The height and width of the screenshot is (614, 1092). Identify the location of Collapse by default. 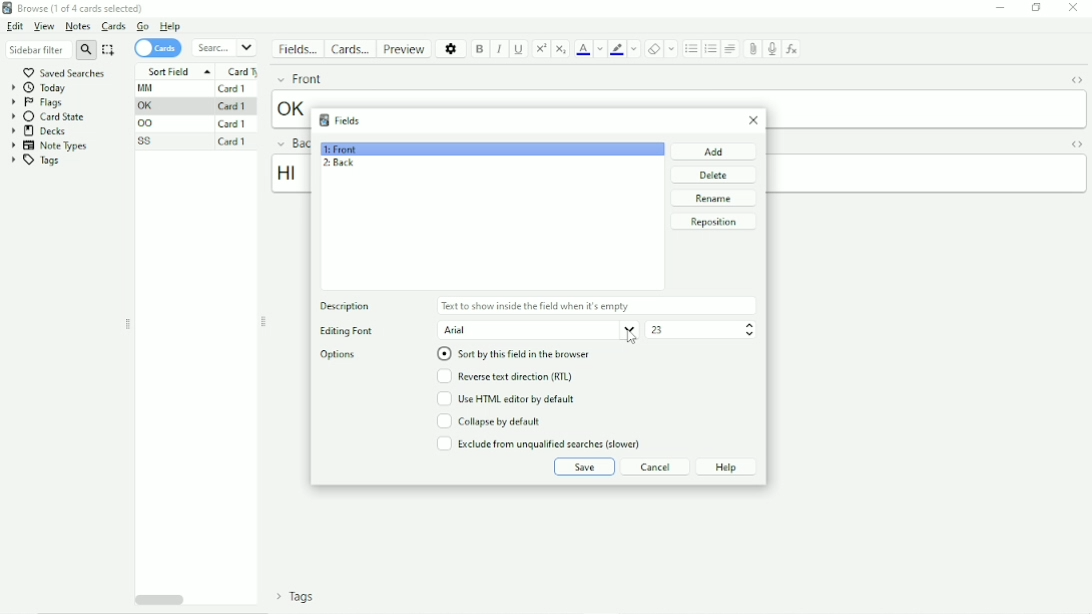
(489, 422).